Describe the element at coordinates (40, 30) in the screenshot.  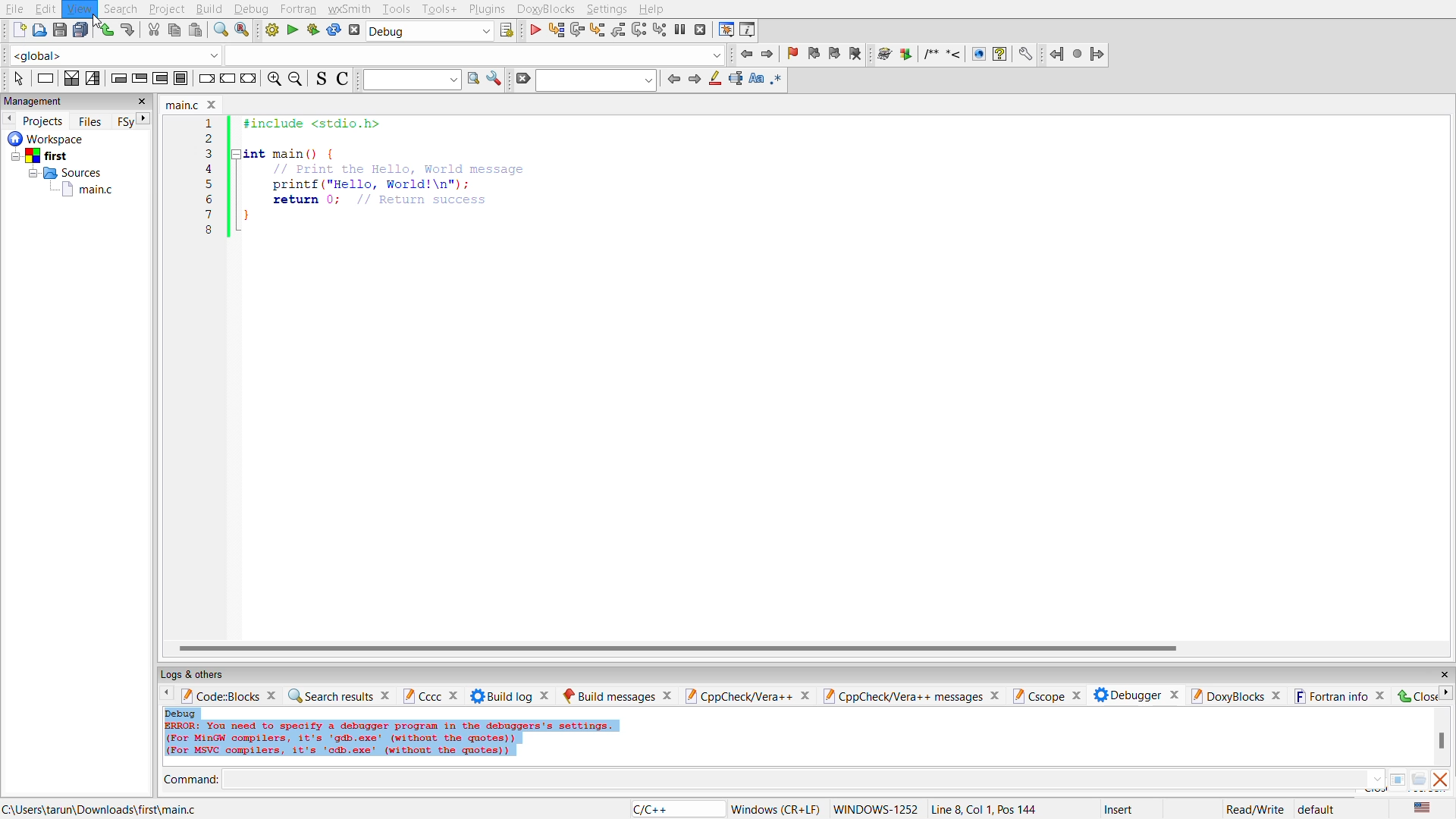
I see `open` at that location.